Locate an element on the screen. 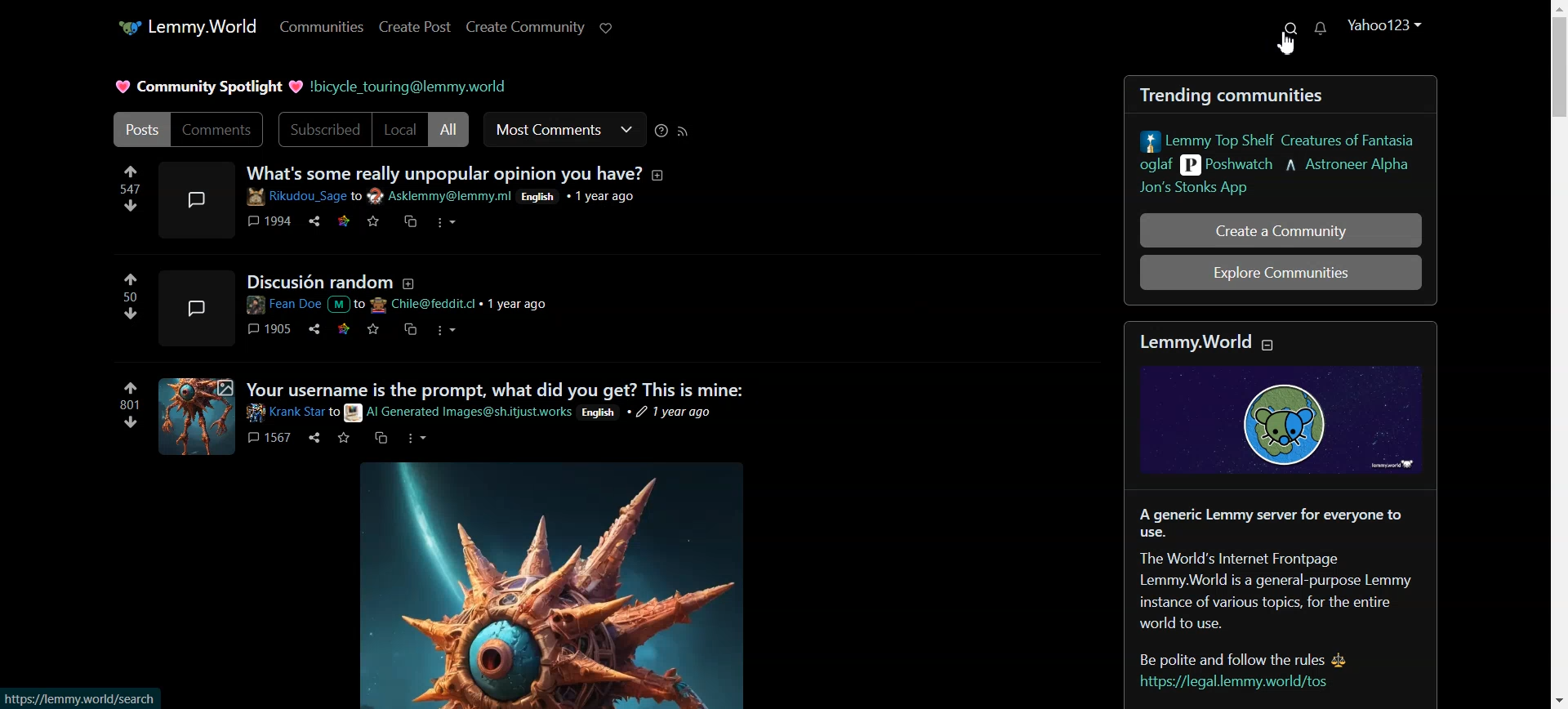 This screenshot has width=1568, height=709. Lemmy.World is located at coordinates (186, 25).